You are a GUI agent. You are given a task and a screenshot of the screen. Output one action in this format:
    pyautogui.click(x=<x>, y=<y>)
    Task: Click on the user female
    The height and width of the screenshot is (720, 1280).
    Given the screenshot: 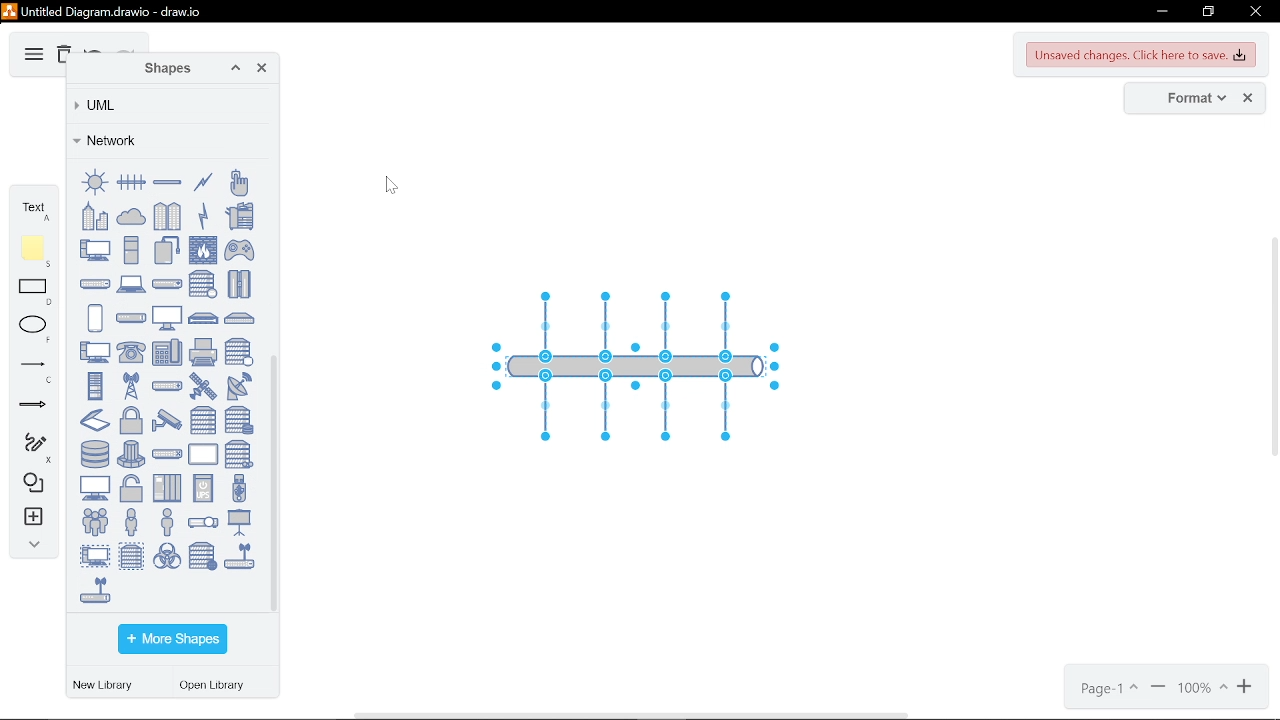 What is the action you would take?
    pyautogui.click(x=131, y=521)
    